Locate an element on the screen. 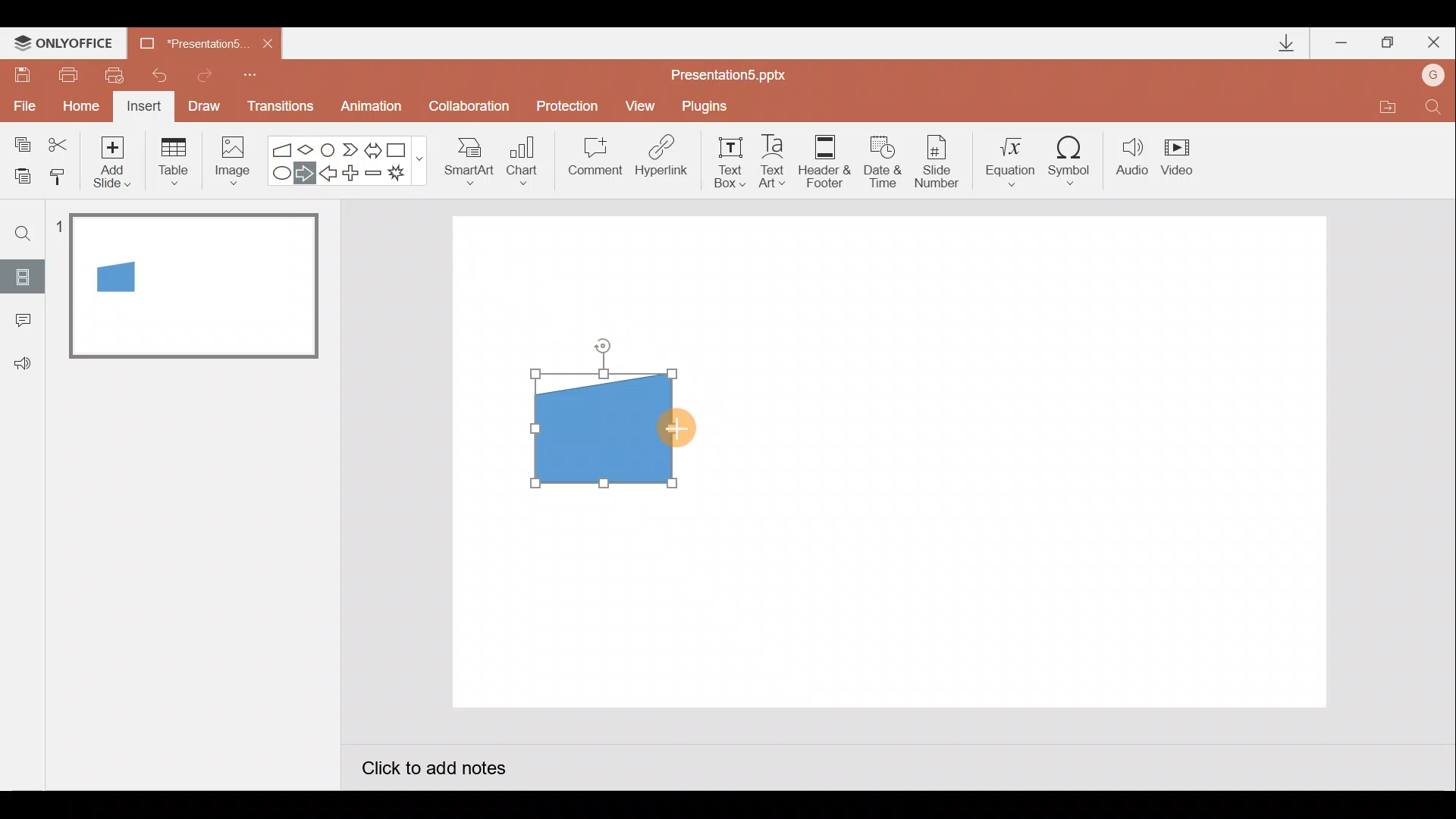 The width and height of the screenshot is (1456, 819). Chevron is located at coordinates (352, 150).